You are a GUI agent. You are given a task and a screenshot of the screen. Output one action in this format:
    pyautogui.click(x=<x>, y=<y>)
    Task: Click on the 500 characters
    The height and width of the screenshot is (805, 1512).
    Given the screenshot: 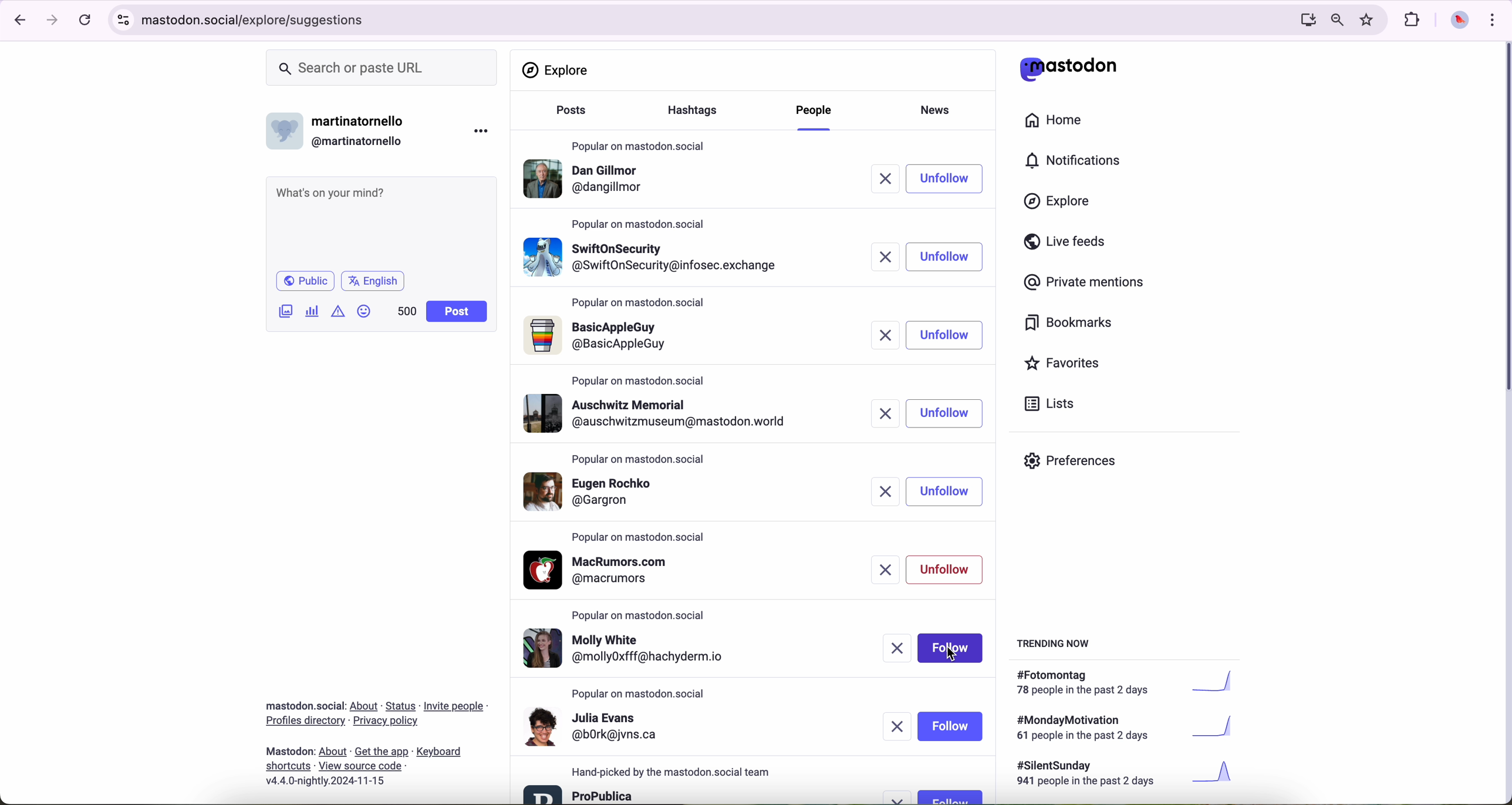 What is the action you would take?
    pyautogui.click(x=406, y=311)
    